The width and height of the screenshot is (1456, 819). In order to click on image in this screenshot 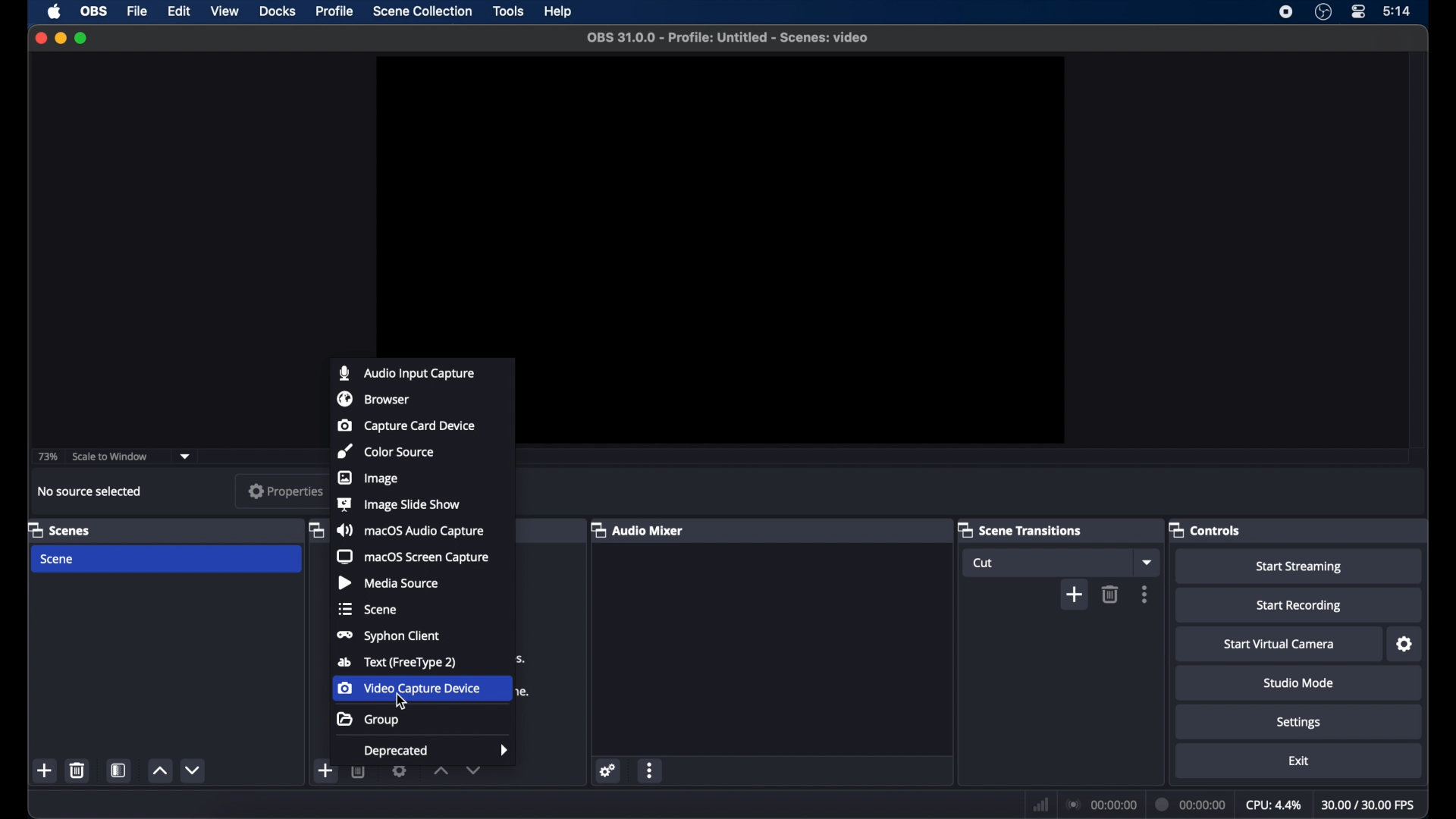, I will do `click(367, 478)`.